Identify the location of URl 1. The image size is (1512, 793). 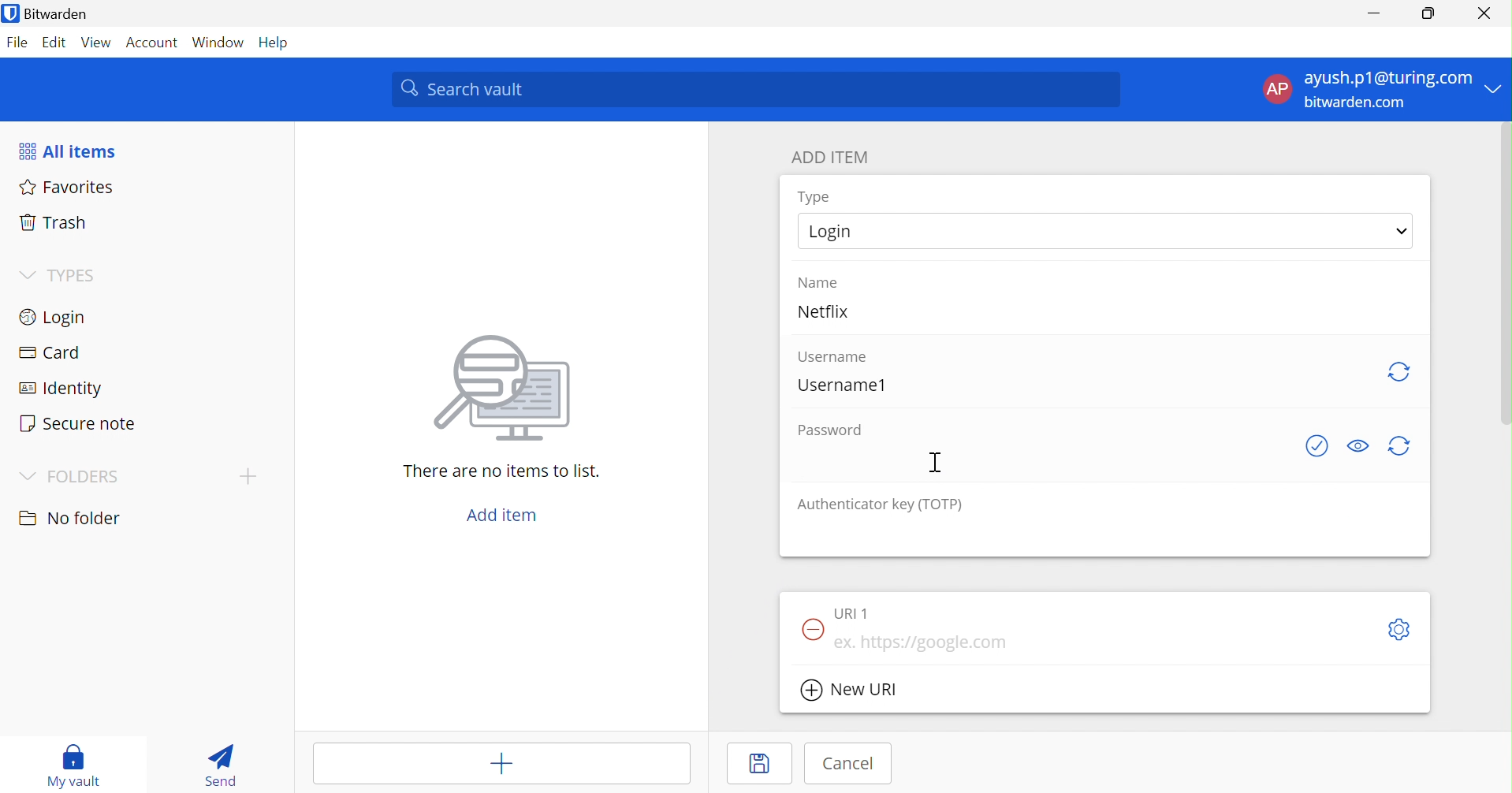
(851, 613).